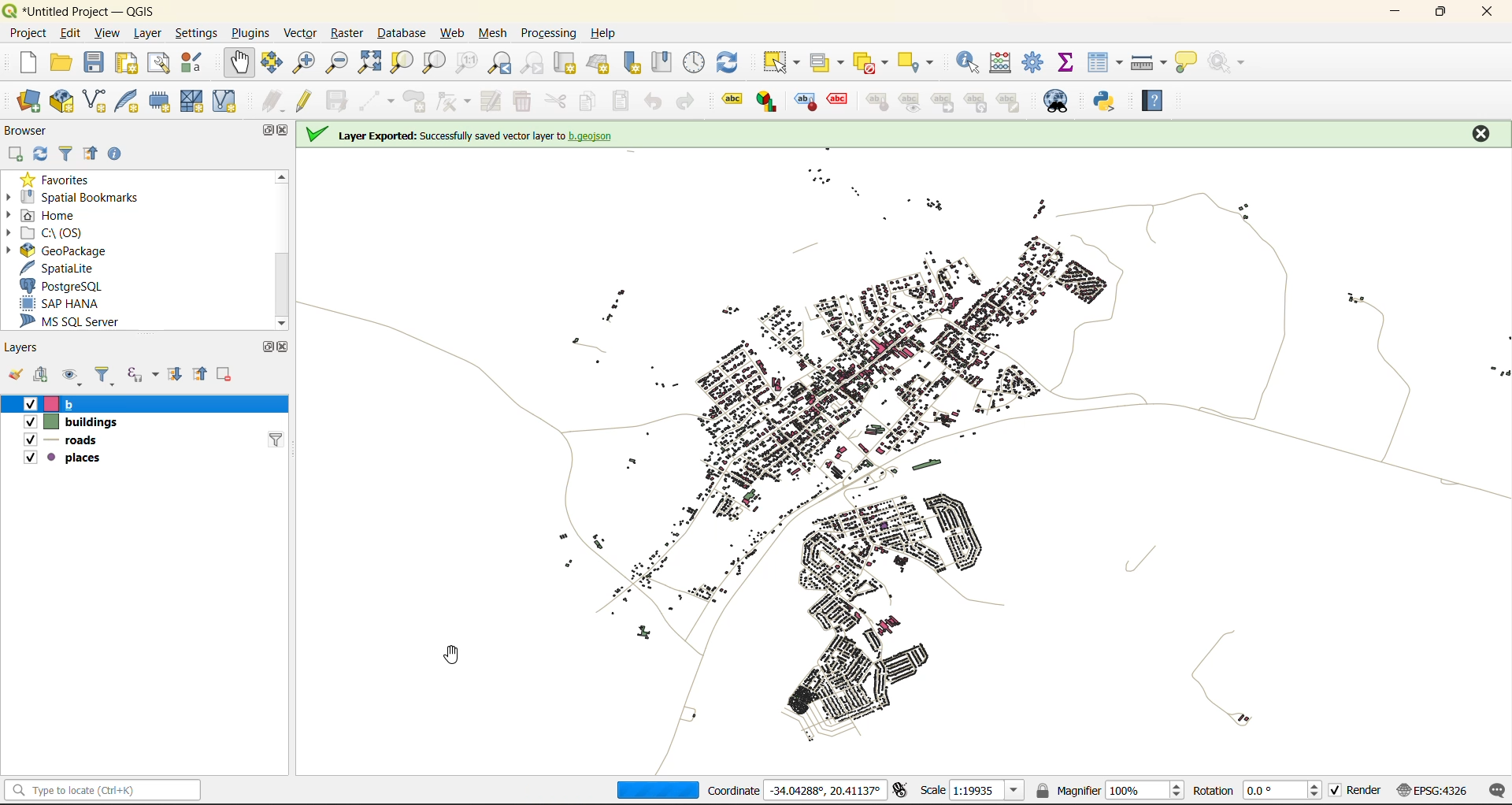 The image size is (1512, 805). What do you see at coordinates (180, 375) in the screenshot?
I see `expand all` at bounding box center [180, 375].